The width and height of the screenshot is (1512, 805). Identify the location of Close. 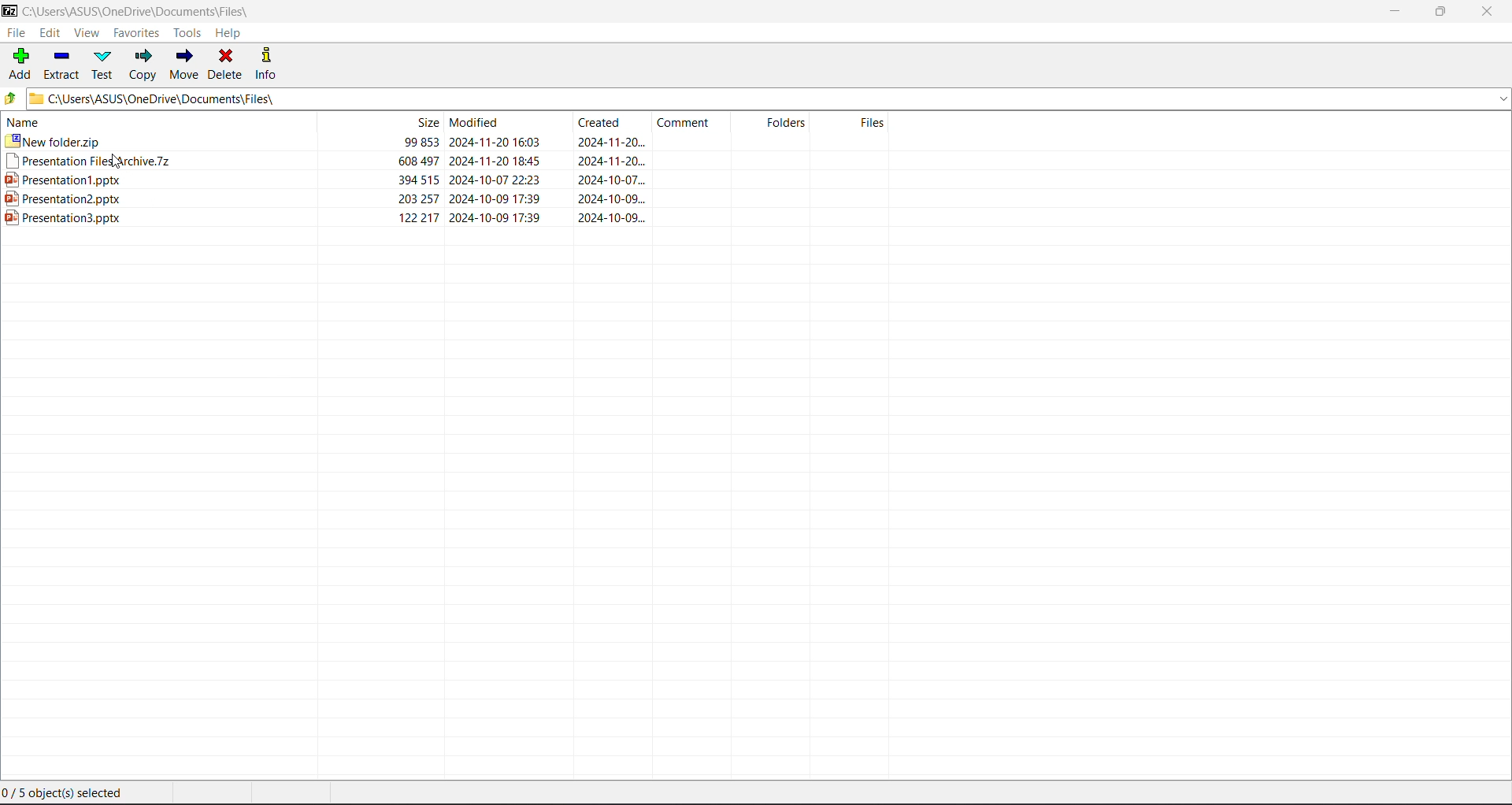
(1488, 11).